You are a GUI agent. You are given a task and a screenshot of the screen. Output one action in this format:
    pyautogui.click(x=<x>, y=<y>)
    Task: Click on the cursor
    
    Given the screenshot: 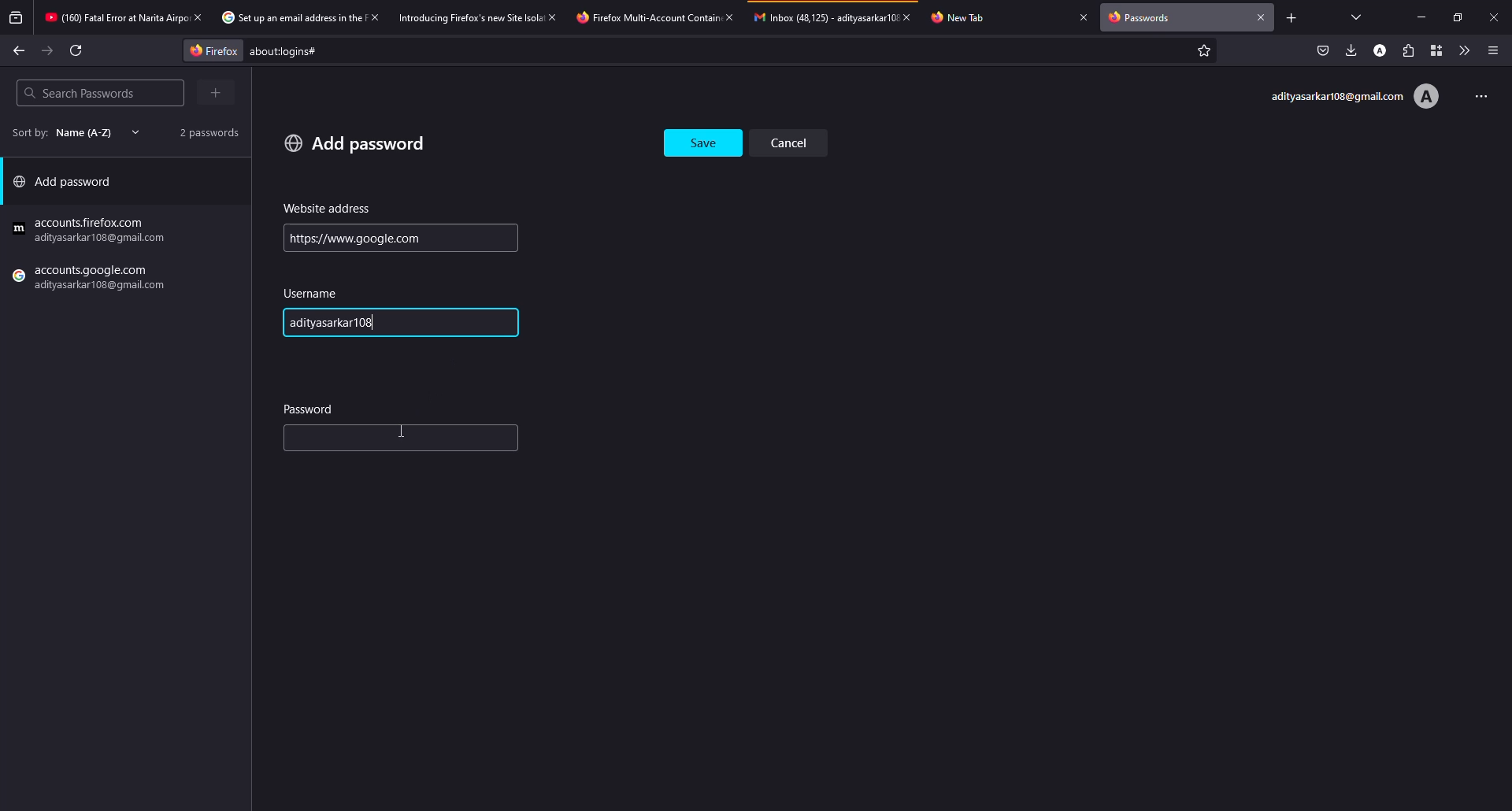 What is the action you would take?
    pyautogui.click(x=406, y=429)
    